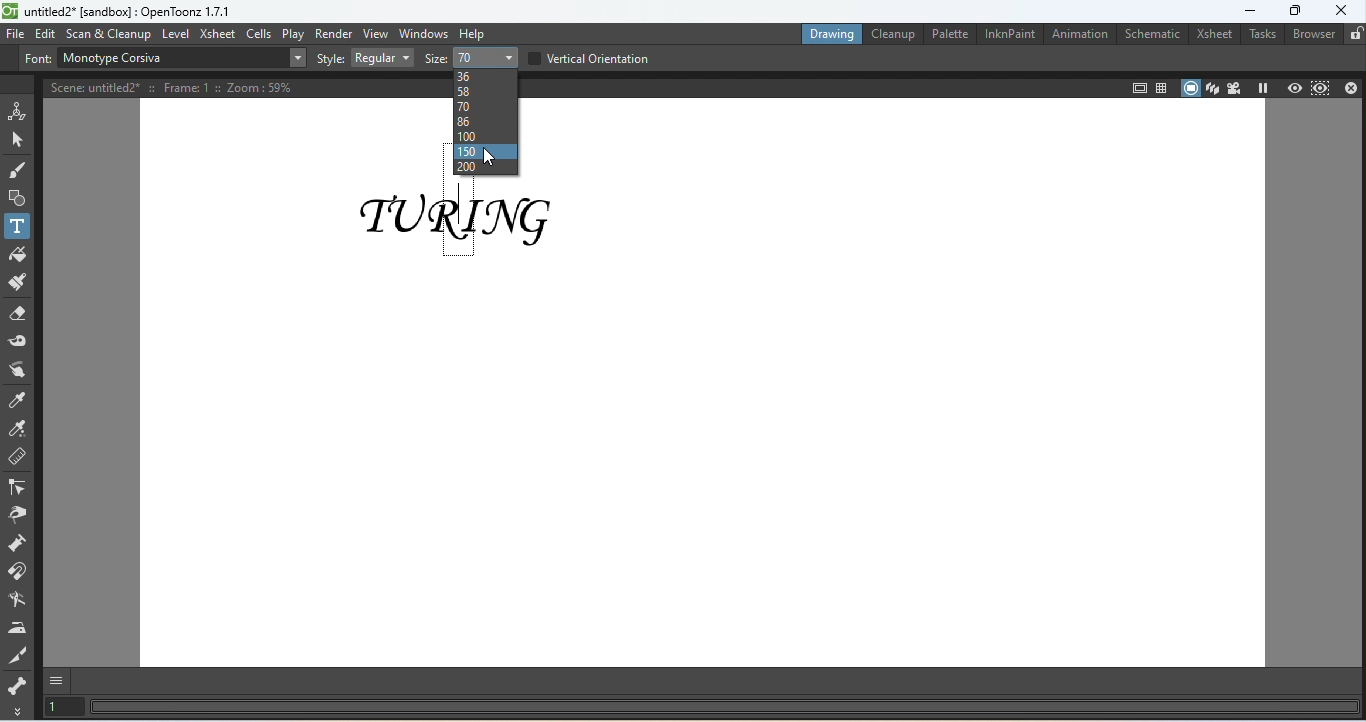 This screenshot has width=1366, height=722. I want to click on Palette, so click(945, 34).